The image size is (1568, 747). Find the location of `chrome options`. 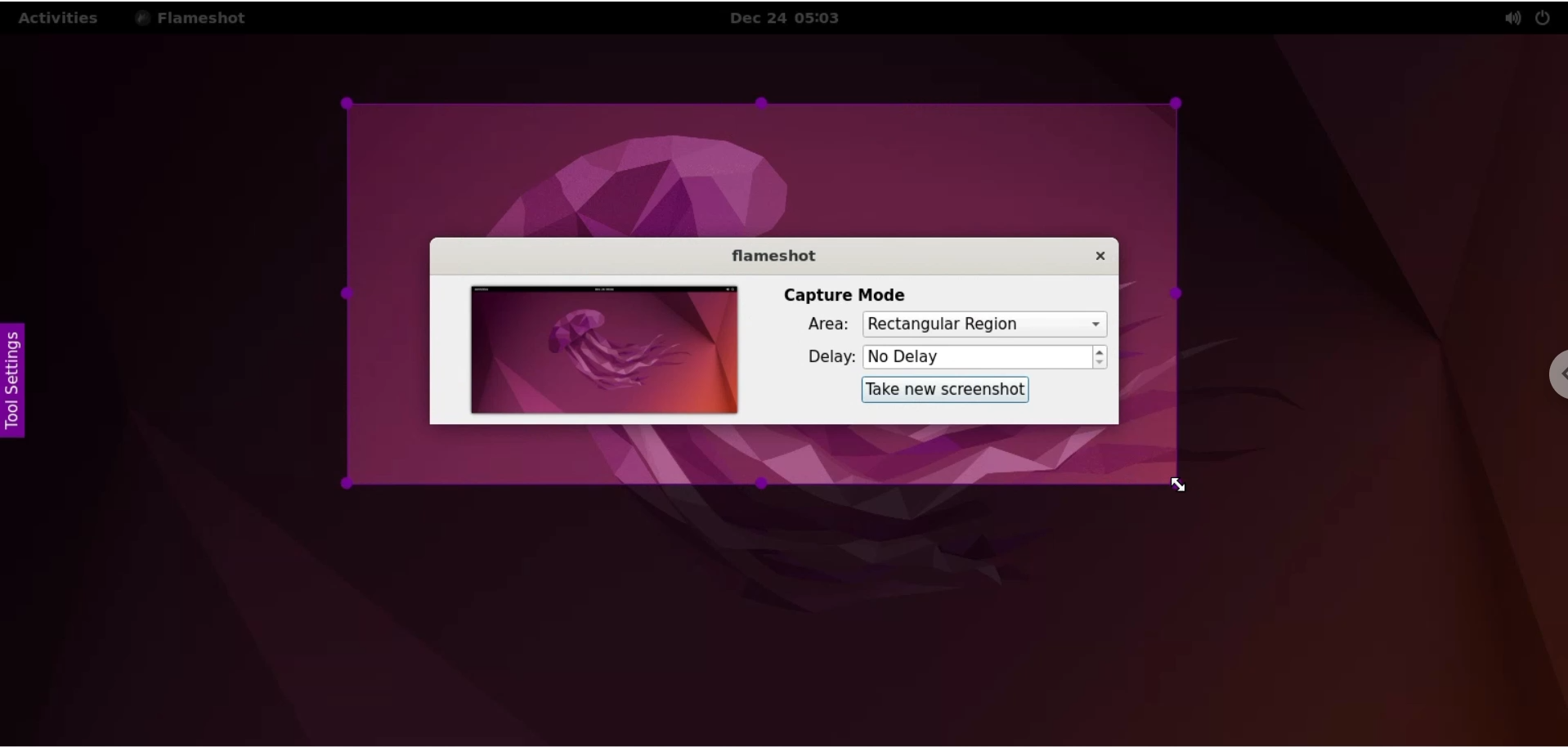

chrome options is located at coordinates (1550, 378).